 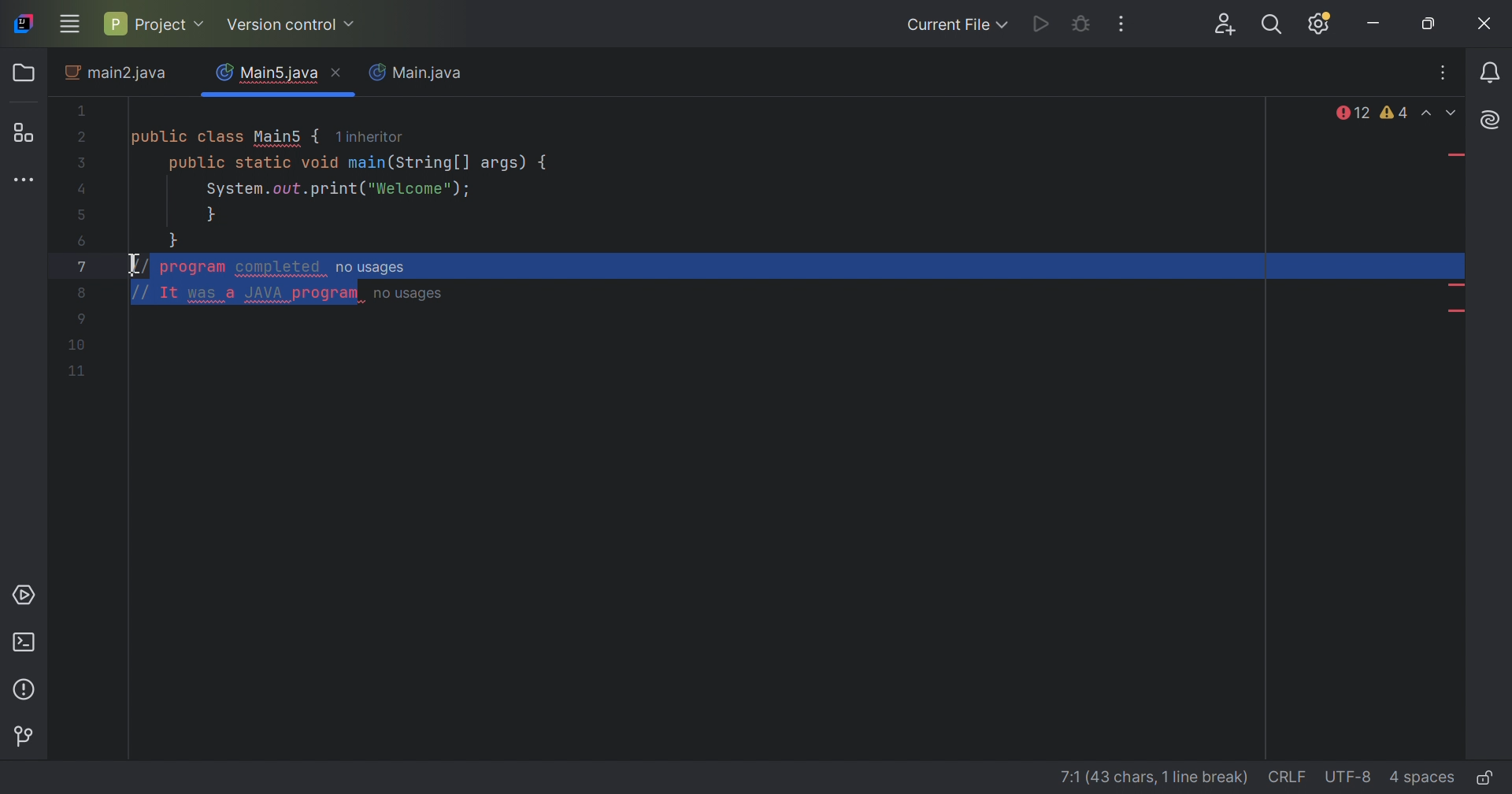 What do you see at coordinates (1432, 25) in the screenshot?
I see `Restore down` at bounding box center [1432, 25].